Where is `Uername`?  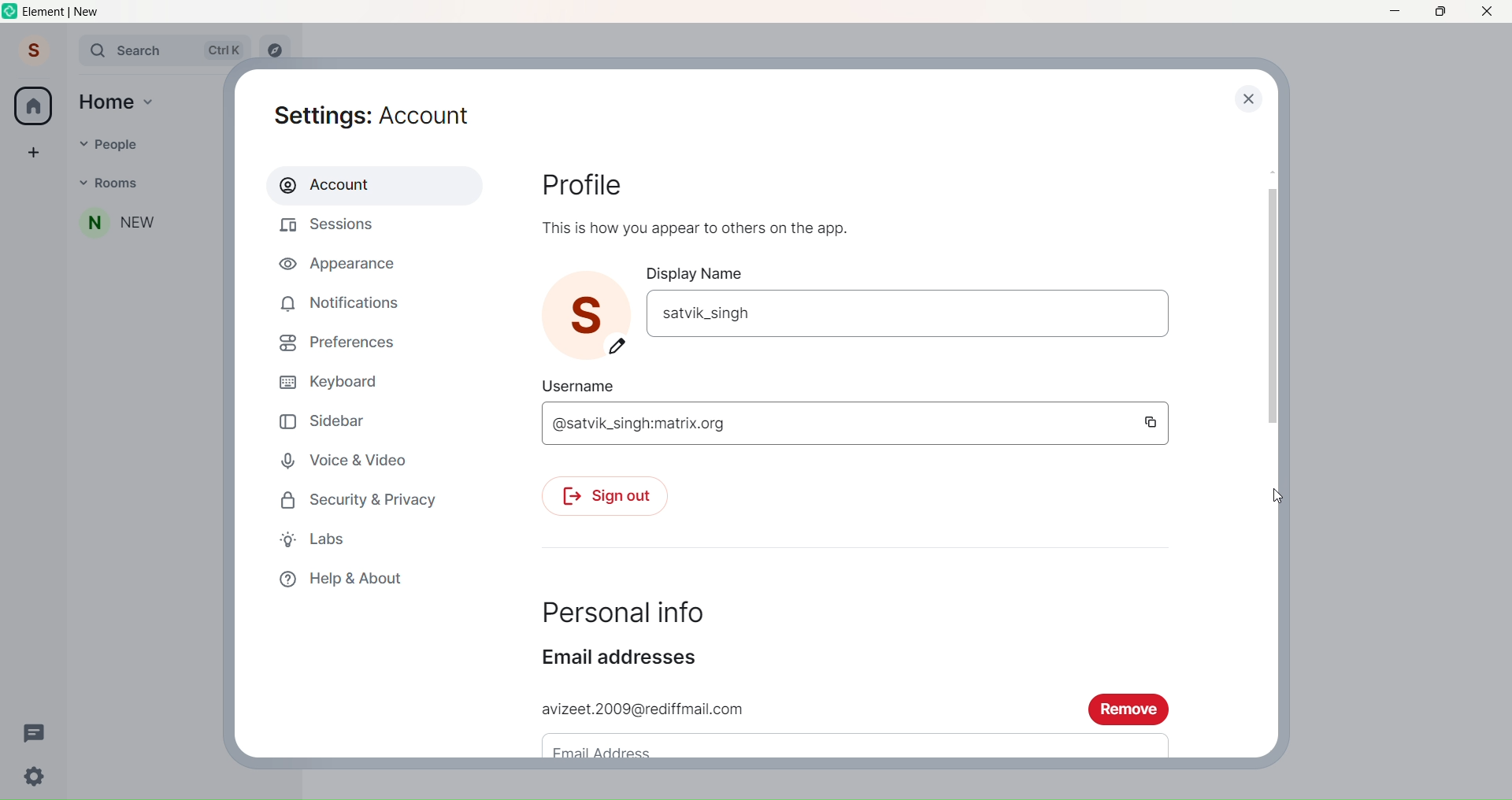 Uername is located at coordinates (585, 383).